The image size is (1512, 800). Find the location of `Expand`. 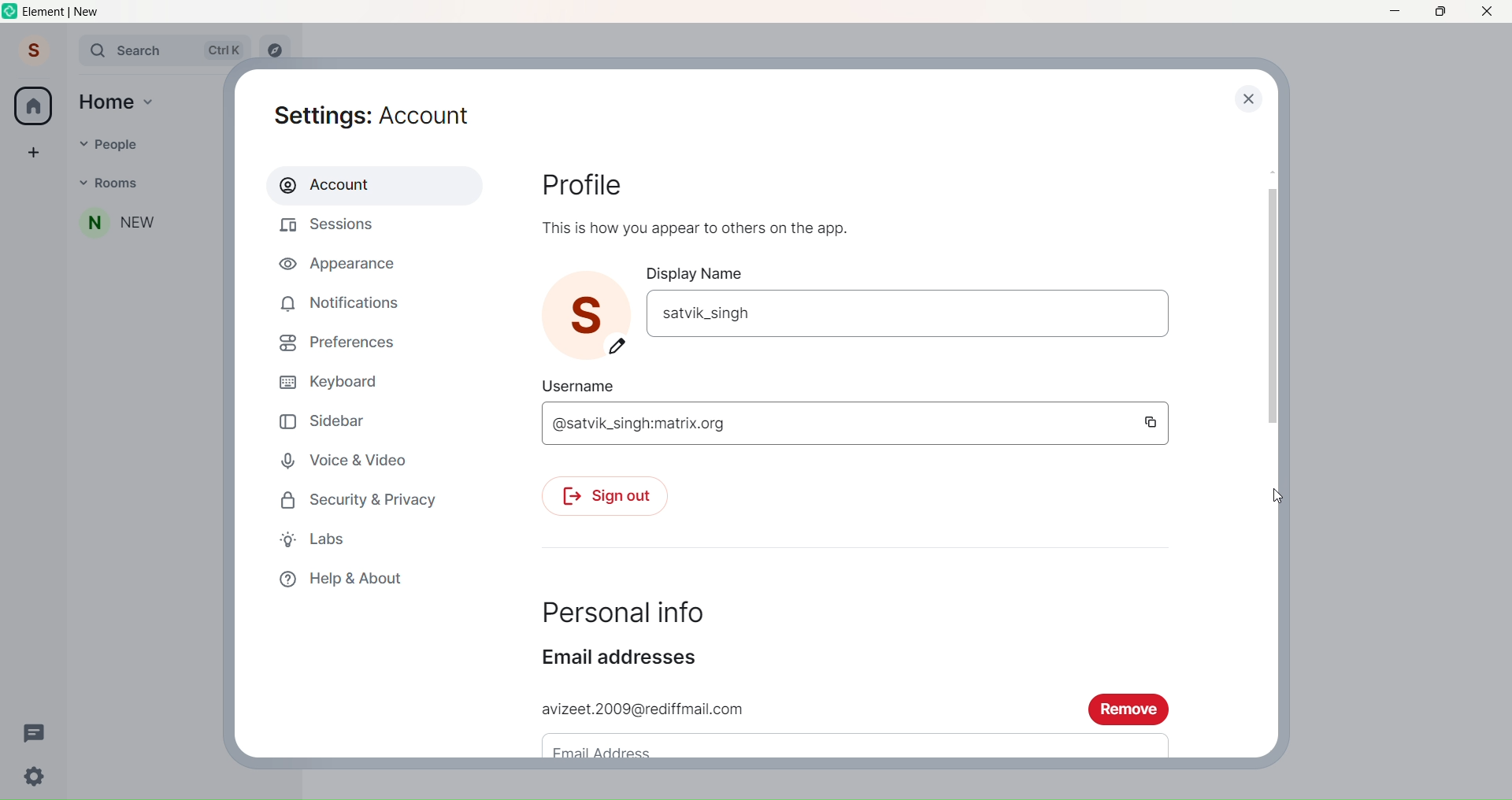

Expand is located at coordinates (66, 52).